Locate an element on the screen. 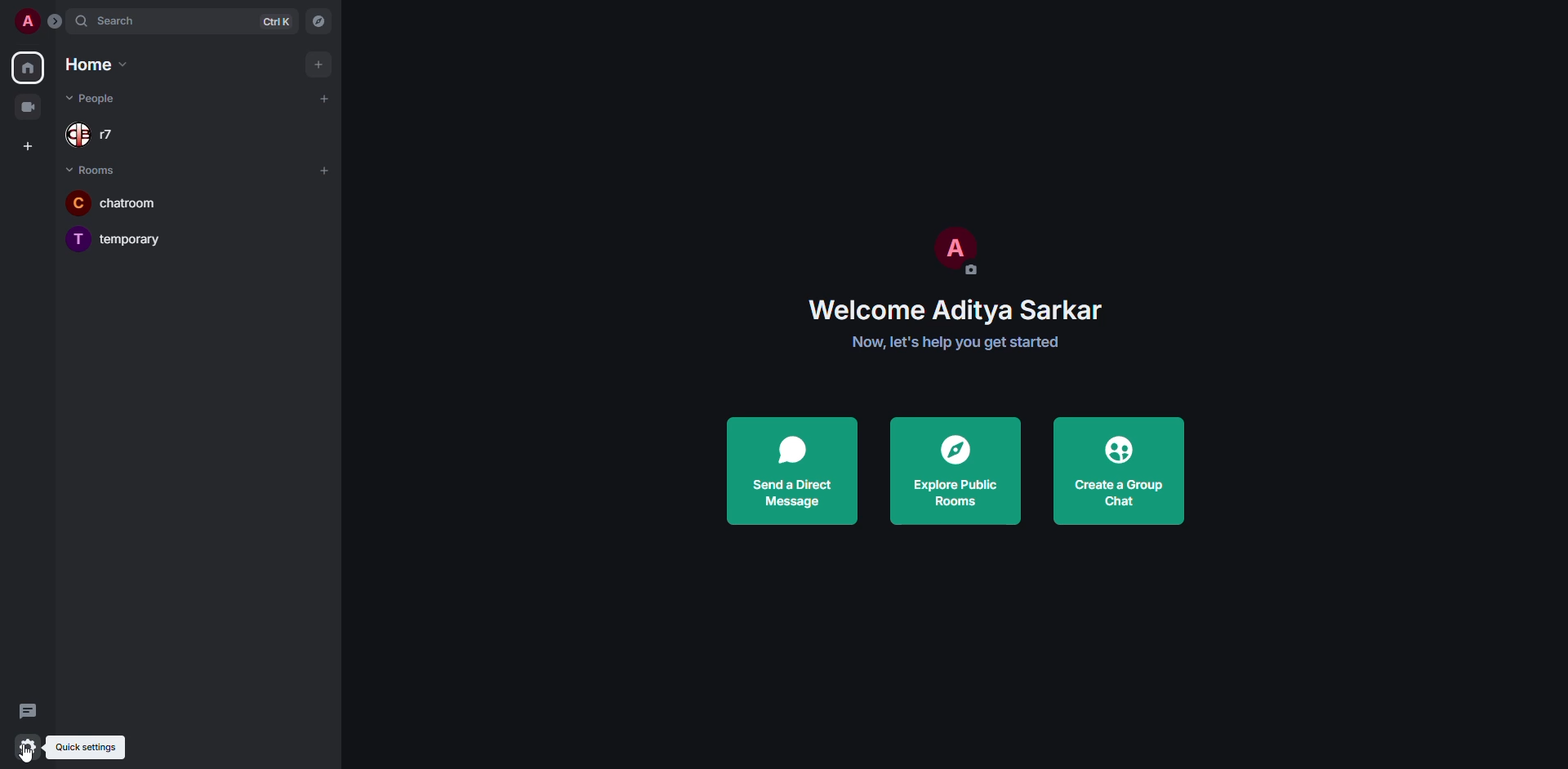  threads is located at coordinates (28, 711).